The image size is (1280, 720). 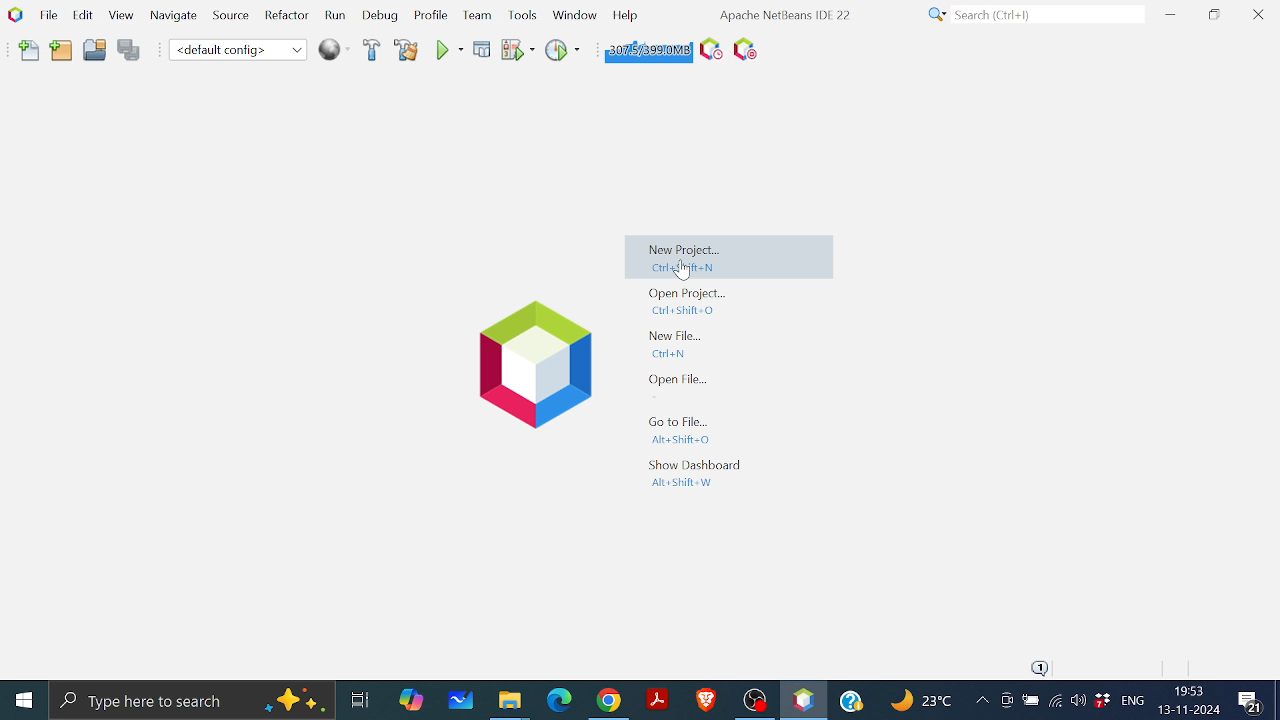 What do you see at coordinates (429, 17) in the screenshot?
I see `Profile` at bounding box center [429, 17].